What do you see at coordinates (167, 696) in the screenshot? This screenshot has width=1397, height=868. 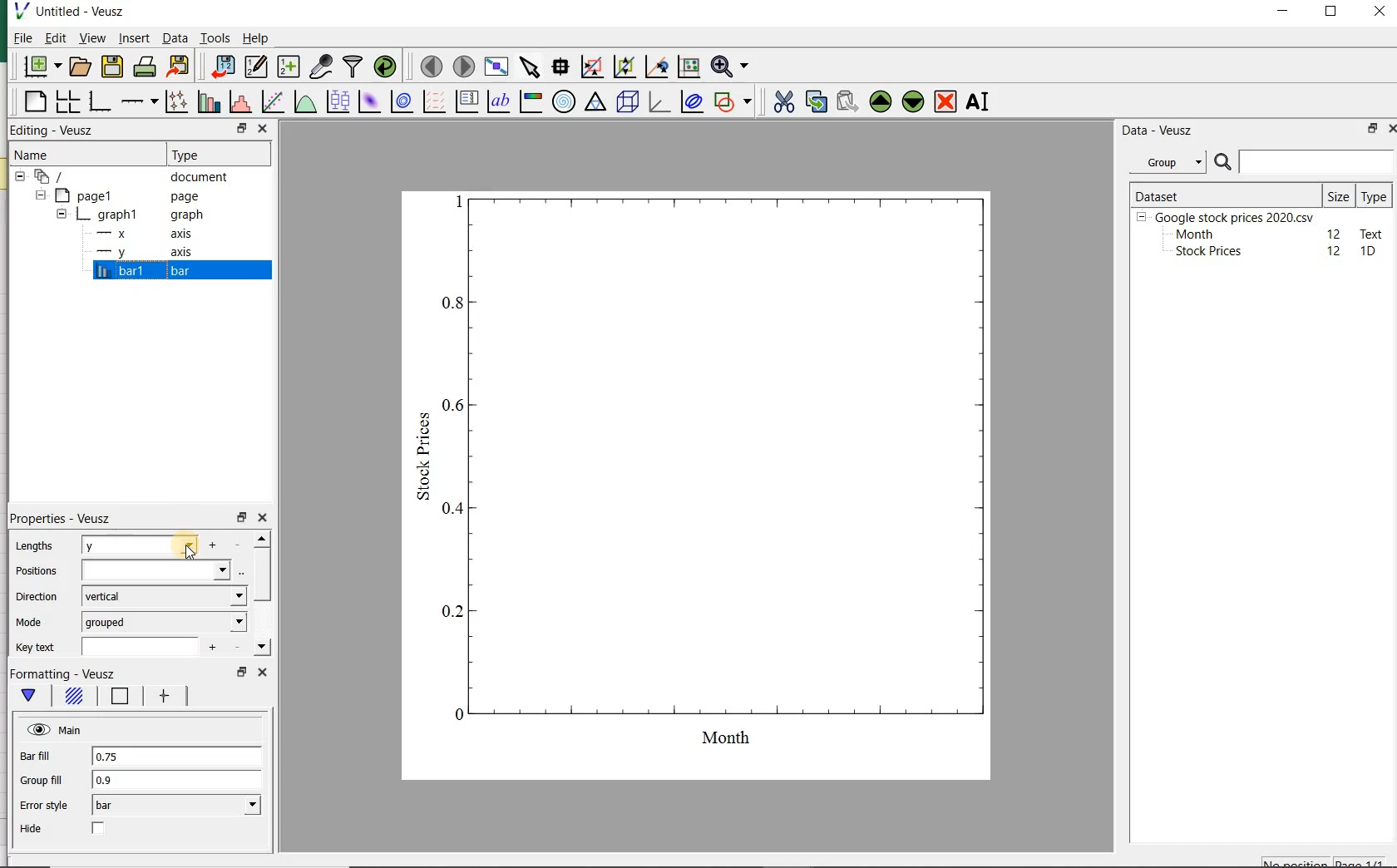 I see `error bar line` at bounding box center [167, 696].